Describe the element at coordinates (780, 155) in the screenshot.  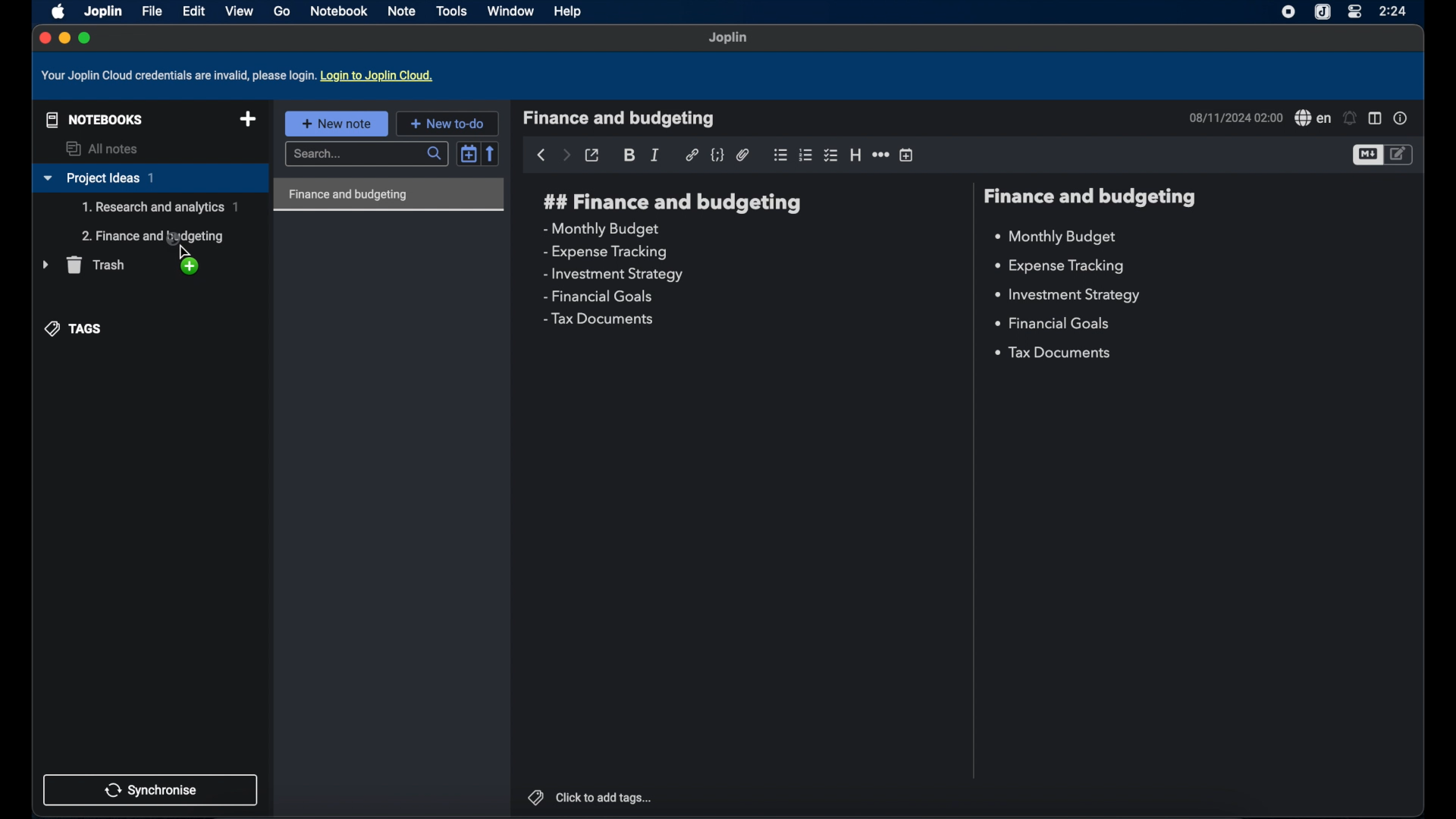
I see `bulleted list` at that location.